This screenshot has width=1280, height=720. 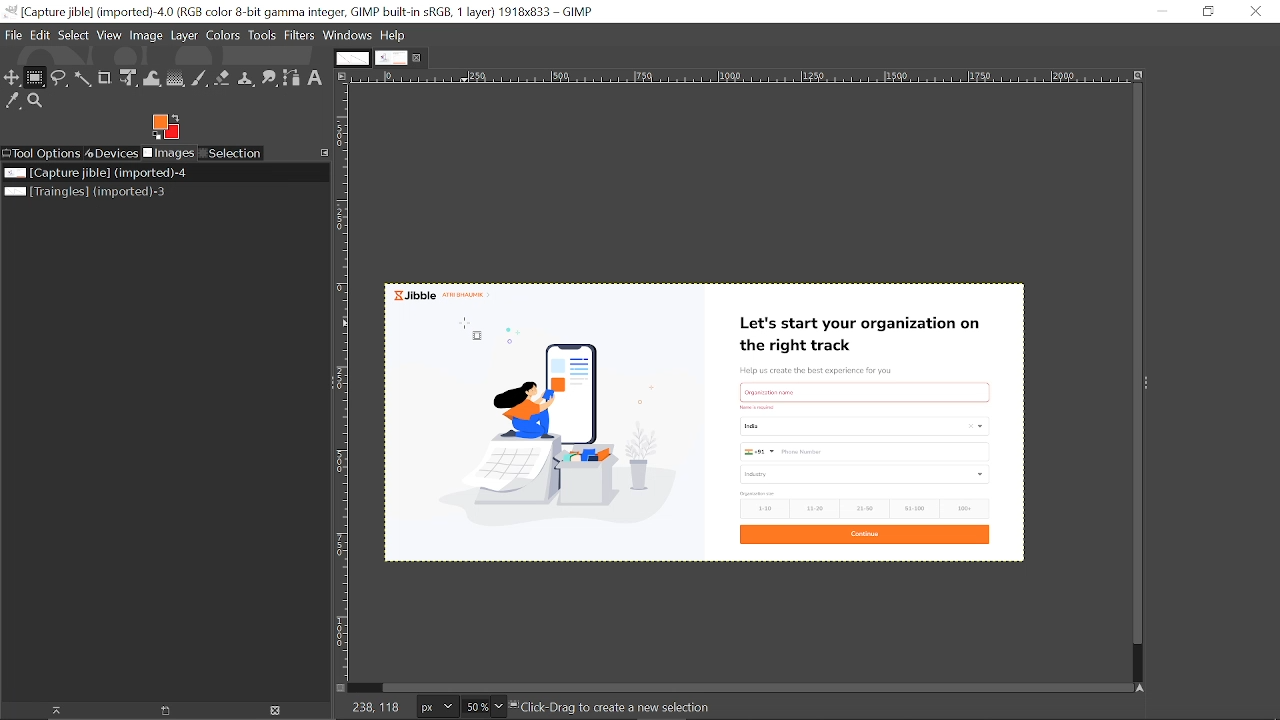 What do you see at coordinates (702, 424) in the screenshot?
I see `Current image` at bounding box center [702, 424].